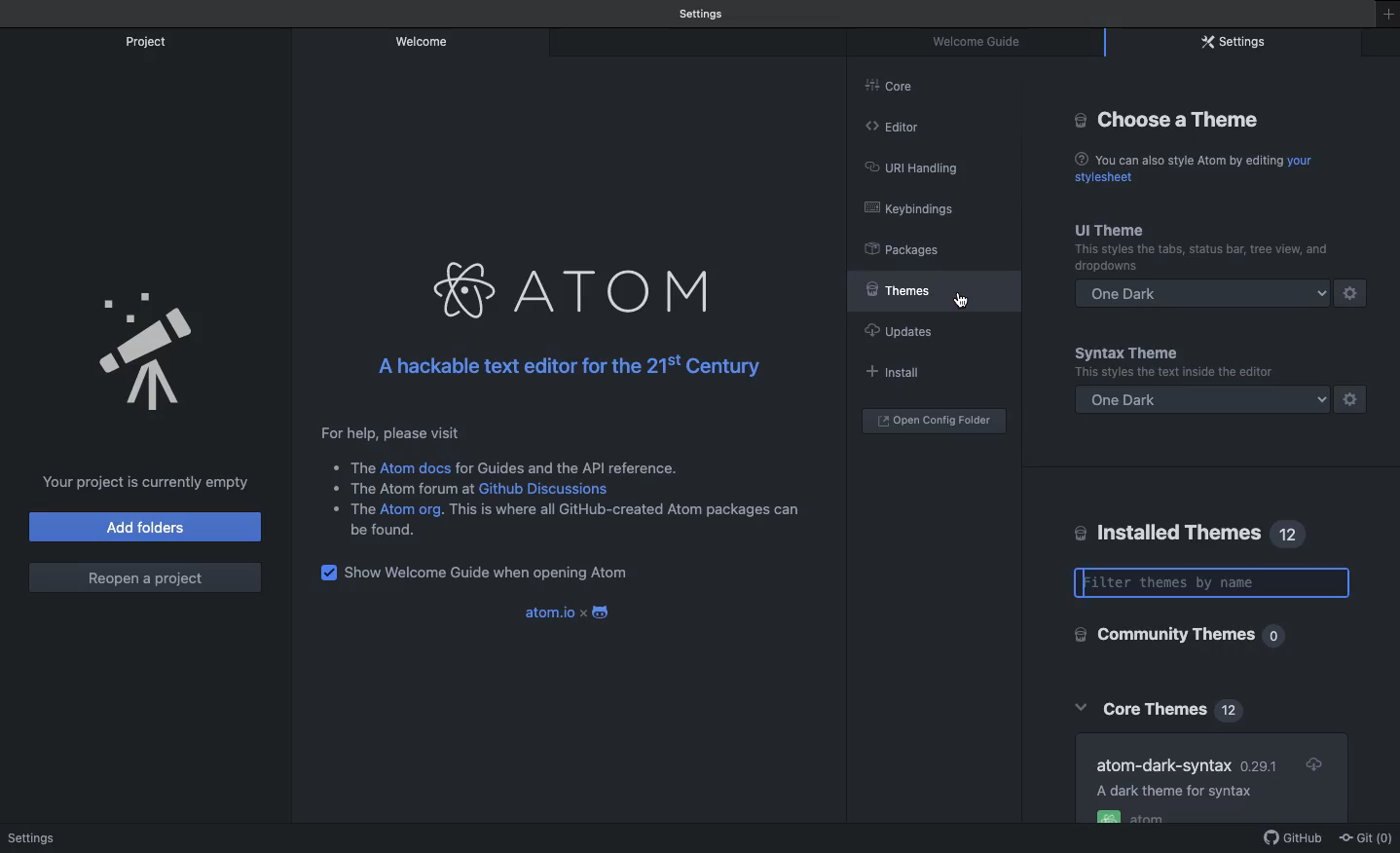  Describe the element at coordinates (1237, 44) in the screenshot. I see `Settings` at that location.